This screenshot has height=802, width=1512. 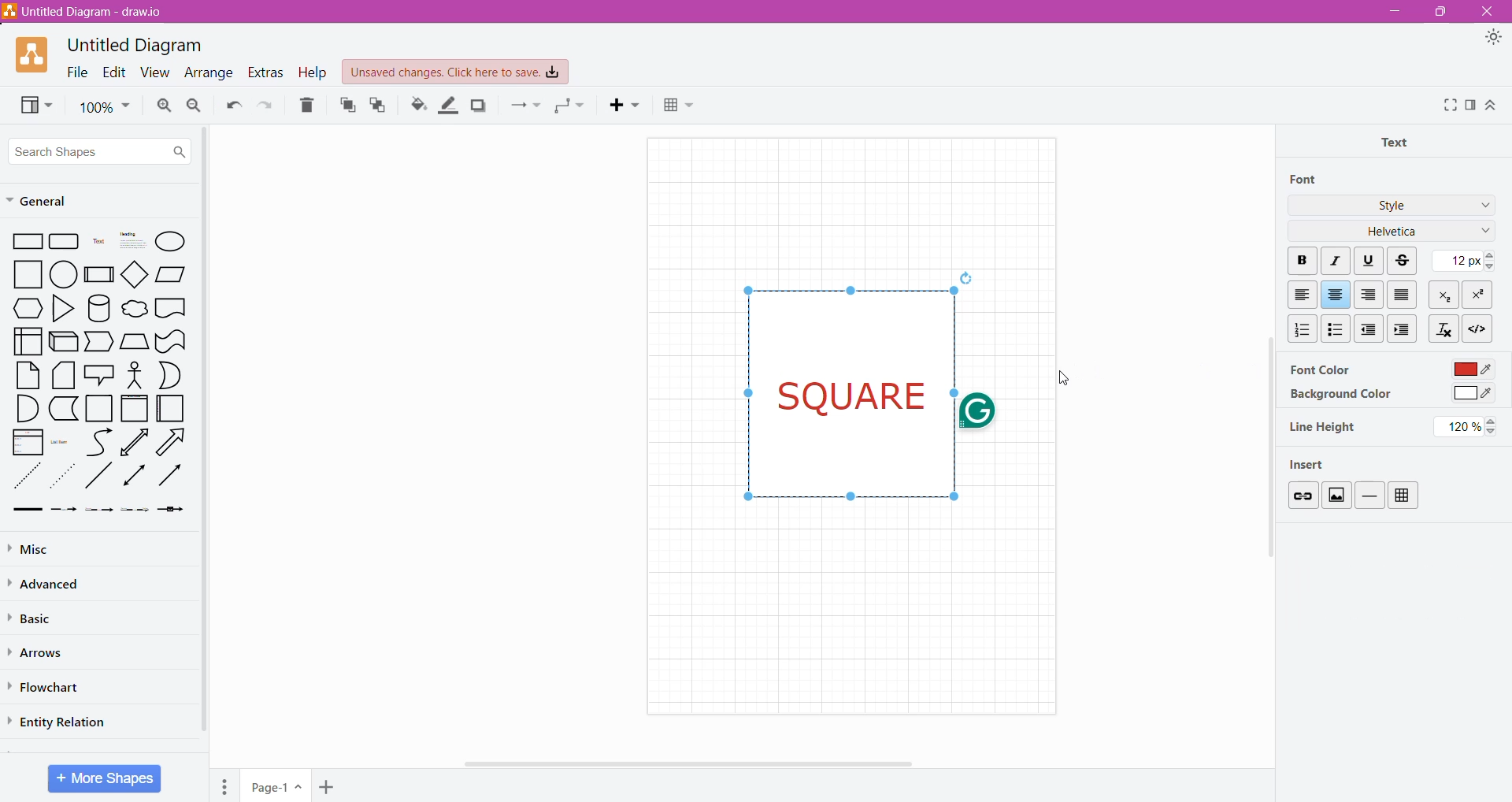 I want to click on Text, so click(x=99, y=241).